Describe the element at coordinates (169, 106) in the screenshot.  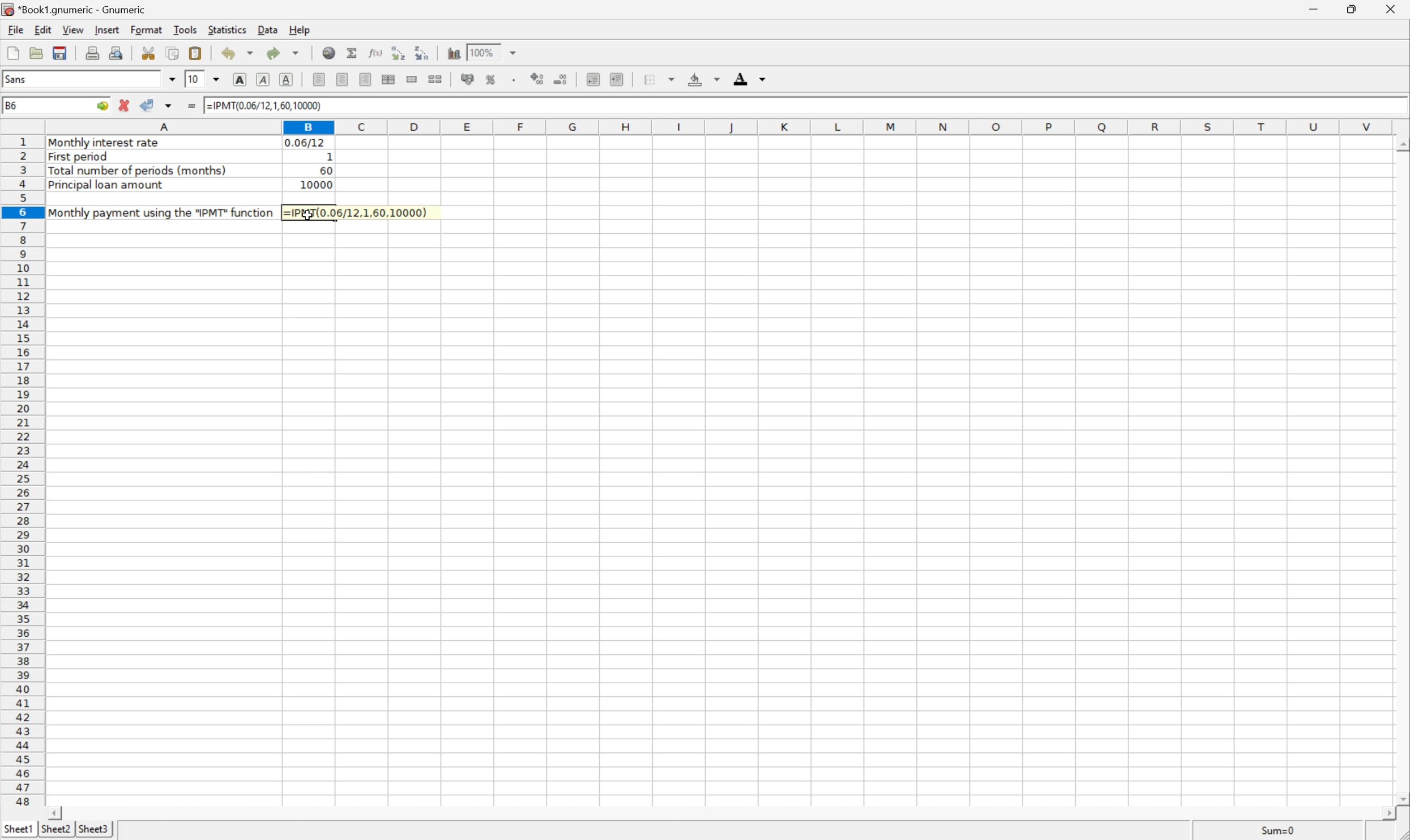
I see `Accept changes in multiple cells` at that location.